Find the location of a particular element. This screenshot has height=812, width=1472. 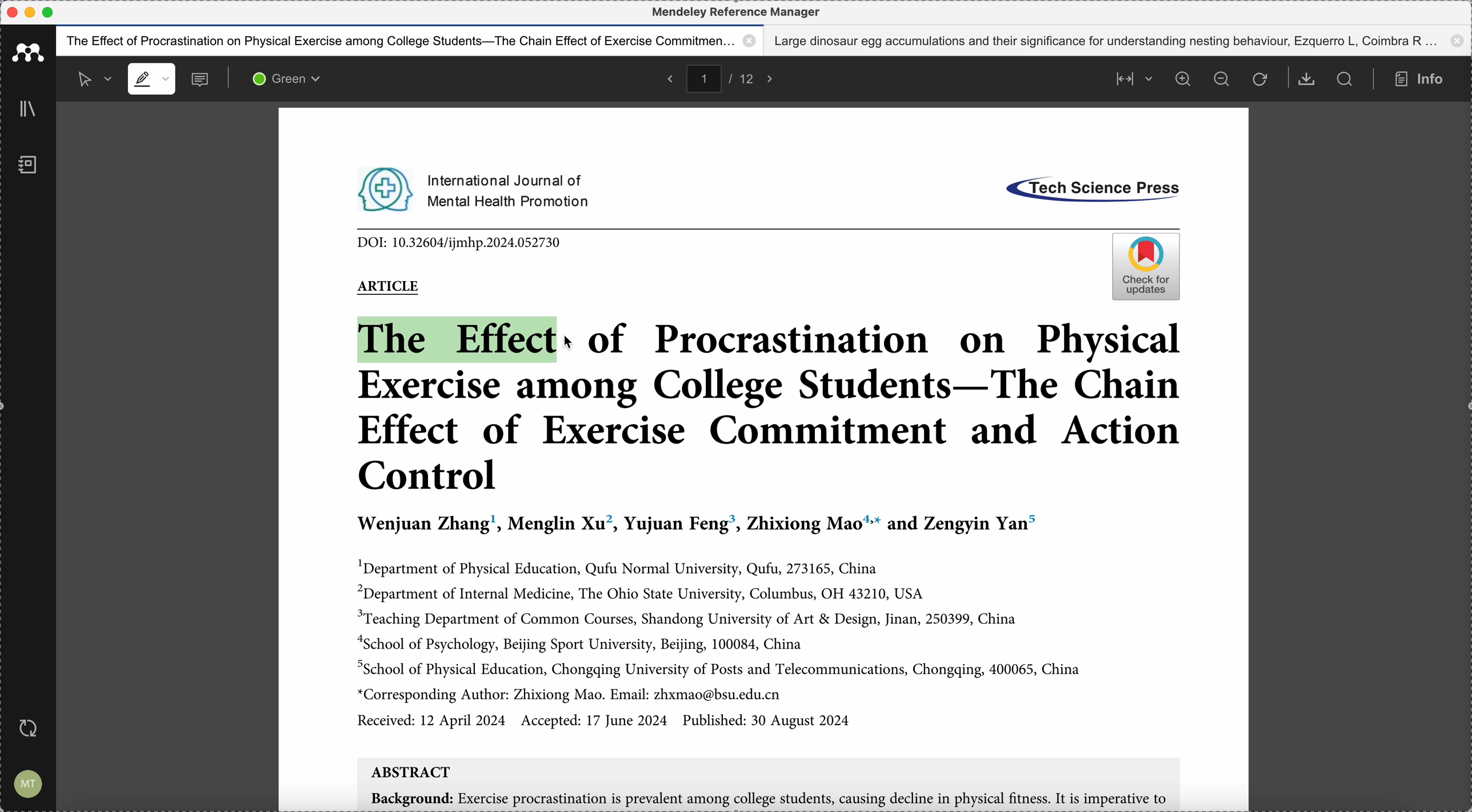

library is located at coordinates (30, 110).